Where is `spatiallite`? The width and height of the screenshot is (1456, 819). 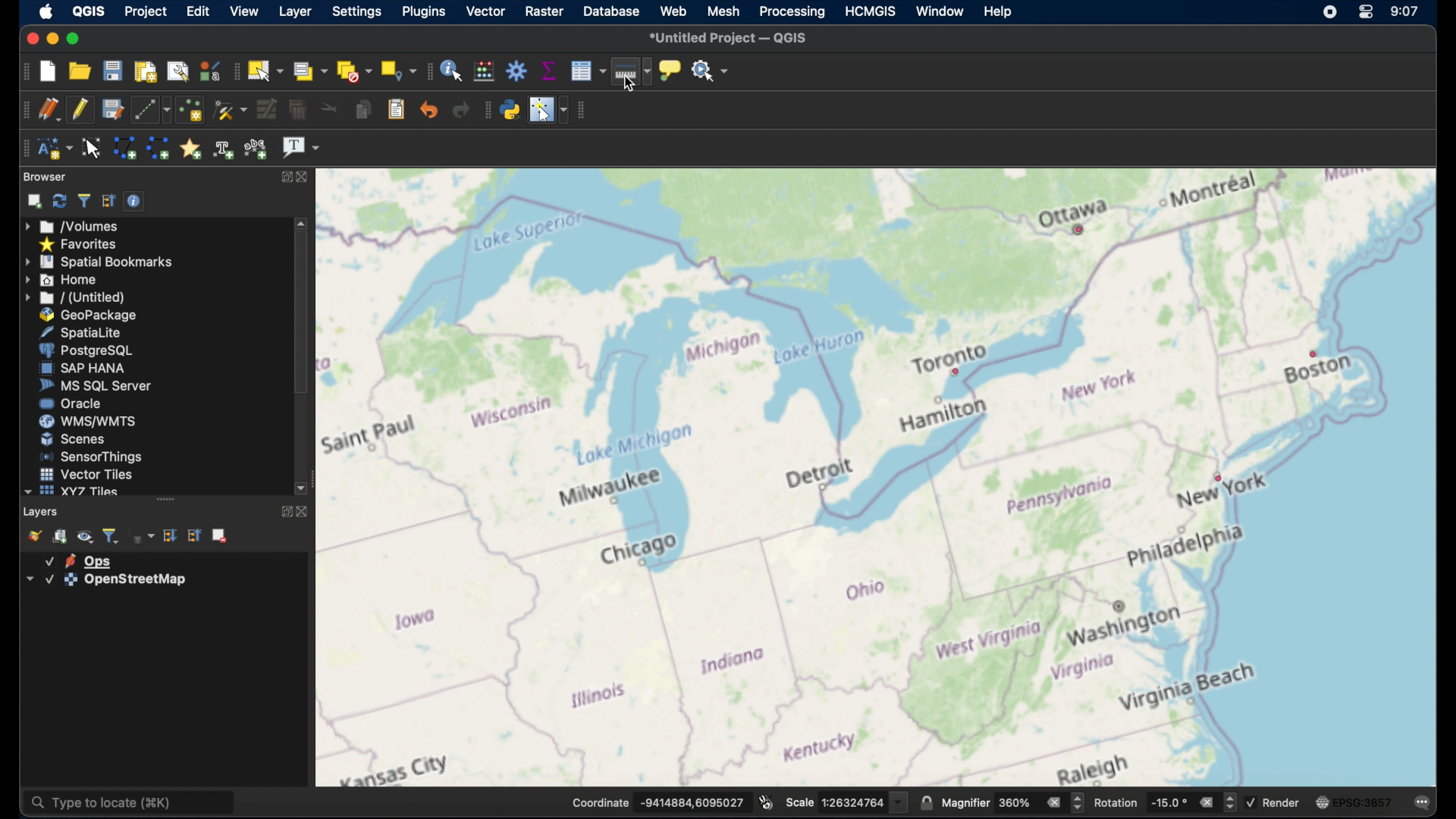 spatiallite is located at coordinates (93, 331).